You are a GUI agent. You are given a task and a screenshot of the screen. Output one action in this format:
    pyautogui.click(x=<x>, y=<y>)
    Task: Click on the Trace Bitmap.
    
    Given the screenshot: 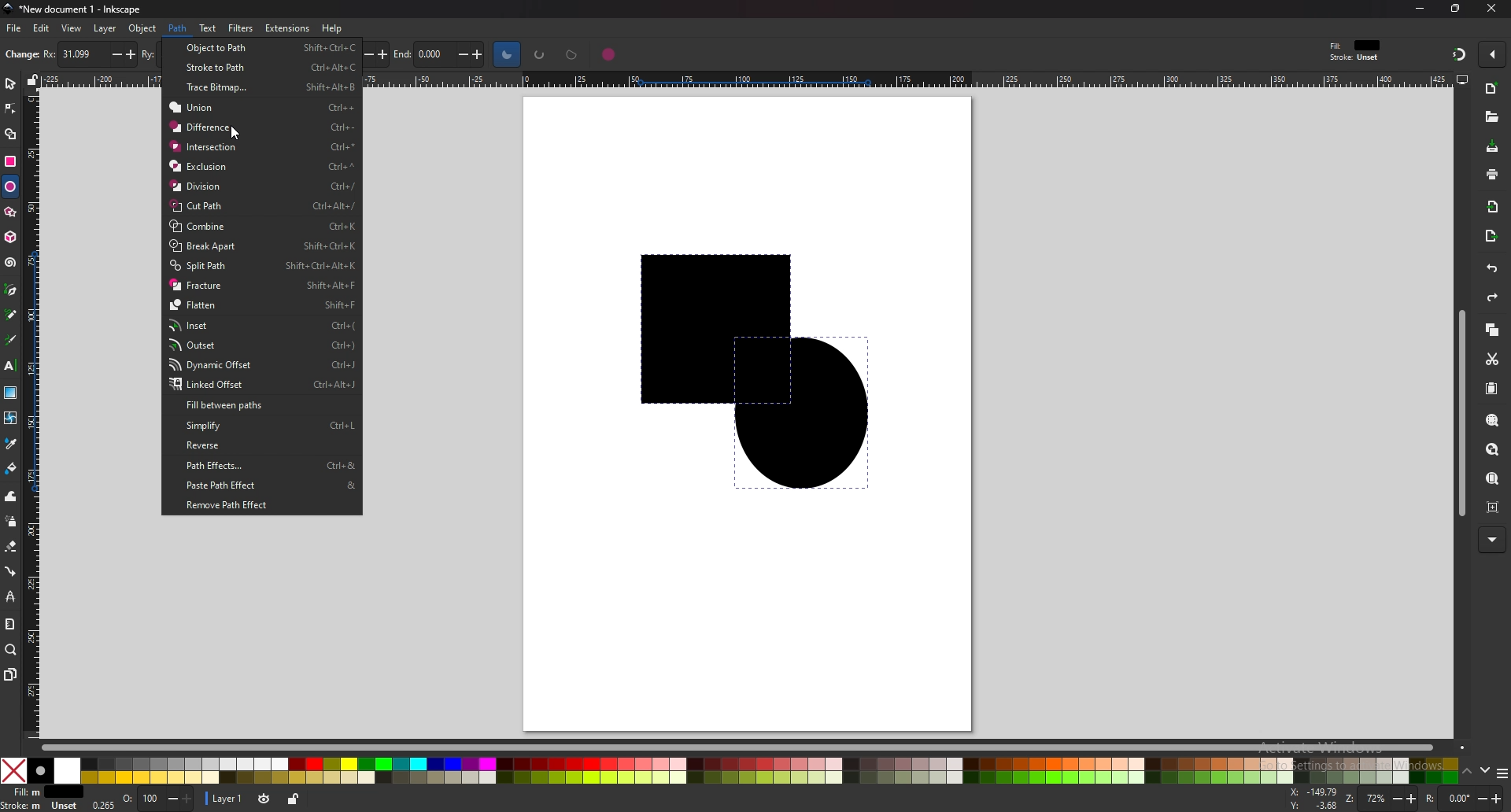 What is the action you would take?
    pyautogui.click(x=269, y=87)
    